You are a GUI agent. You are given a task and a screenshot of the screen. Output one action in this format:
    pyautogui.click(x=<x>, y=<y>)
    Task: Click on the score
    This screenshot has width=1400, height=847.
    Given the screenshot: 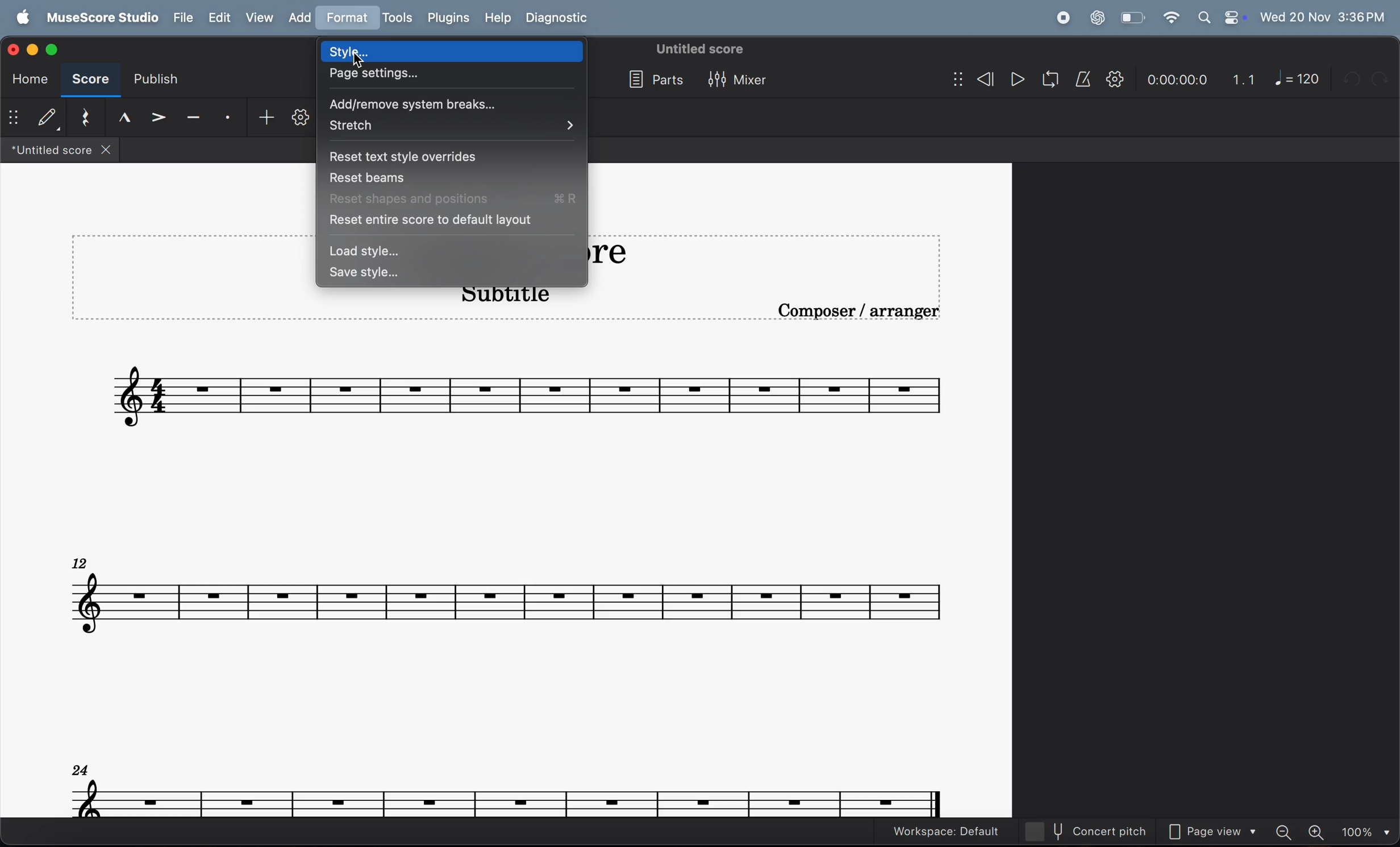 What is the action you would take?
    pyautogui.click(x=88, y=81)
    